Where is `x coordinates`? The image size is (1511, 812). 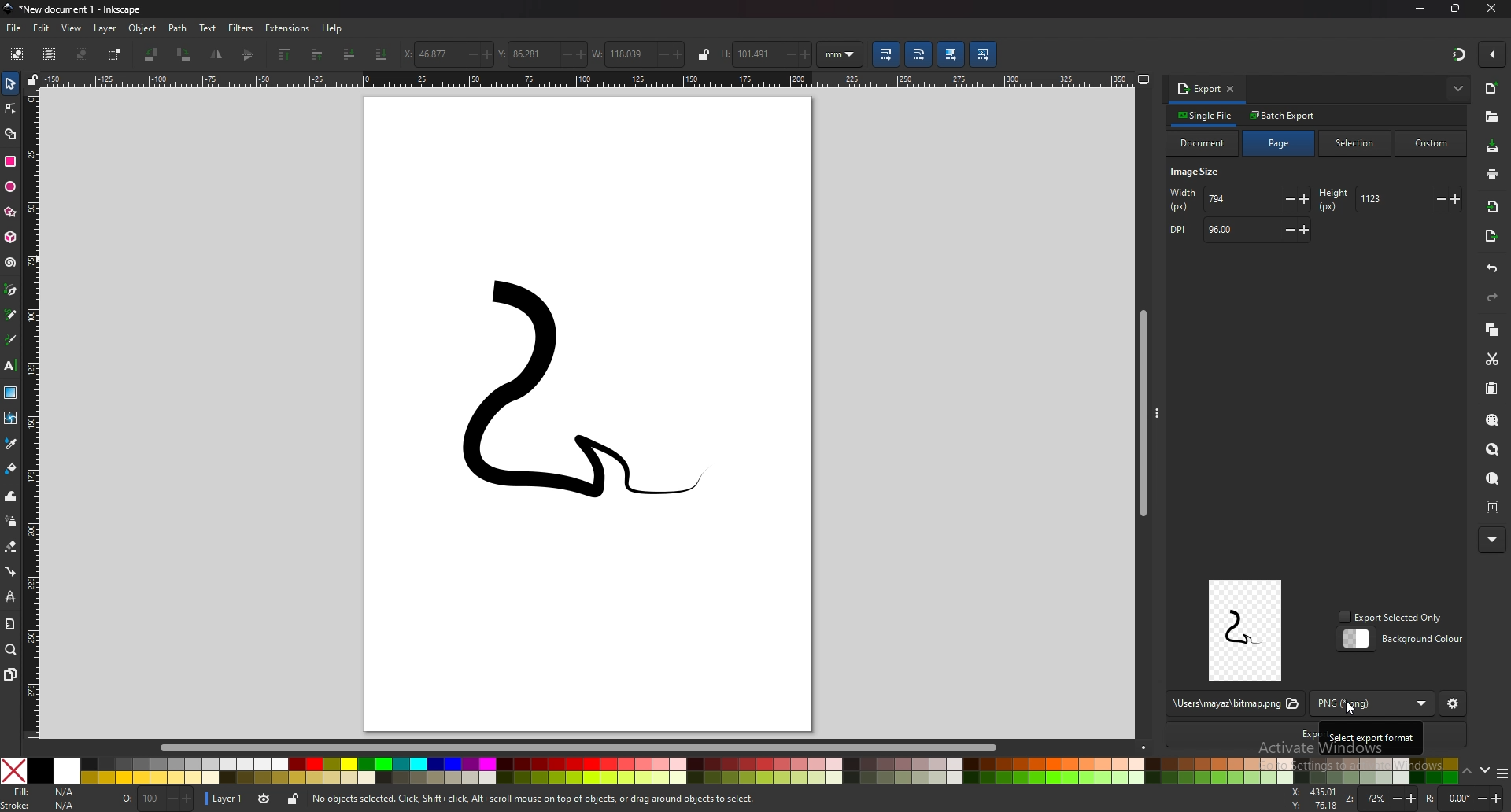 x coordinates is located at coordinates (449, 54).